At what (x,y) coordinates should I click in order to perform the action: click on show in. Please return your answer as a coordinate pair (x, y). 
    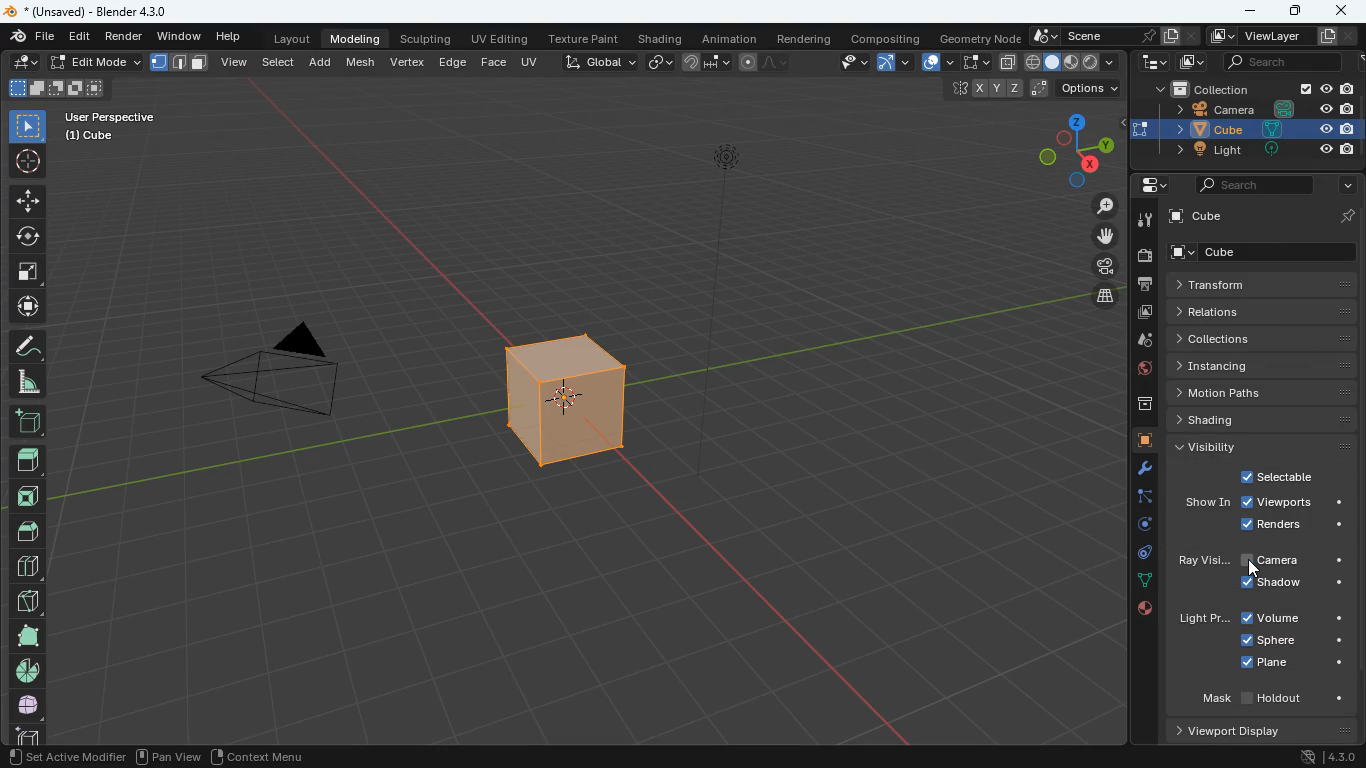
    Looking at the image, I should click on (1207, 503).